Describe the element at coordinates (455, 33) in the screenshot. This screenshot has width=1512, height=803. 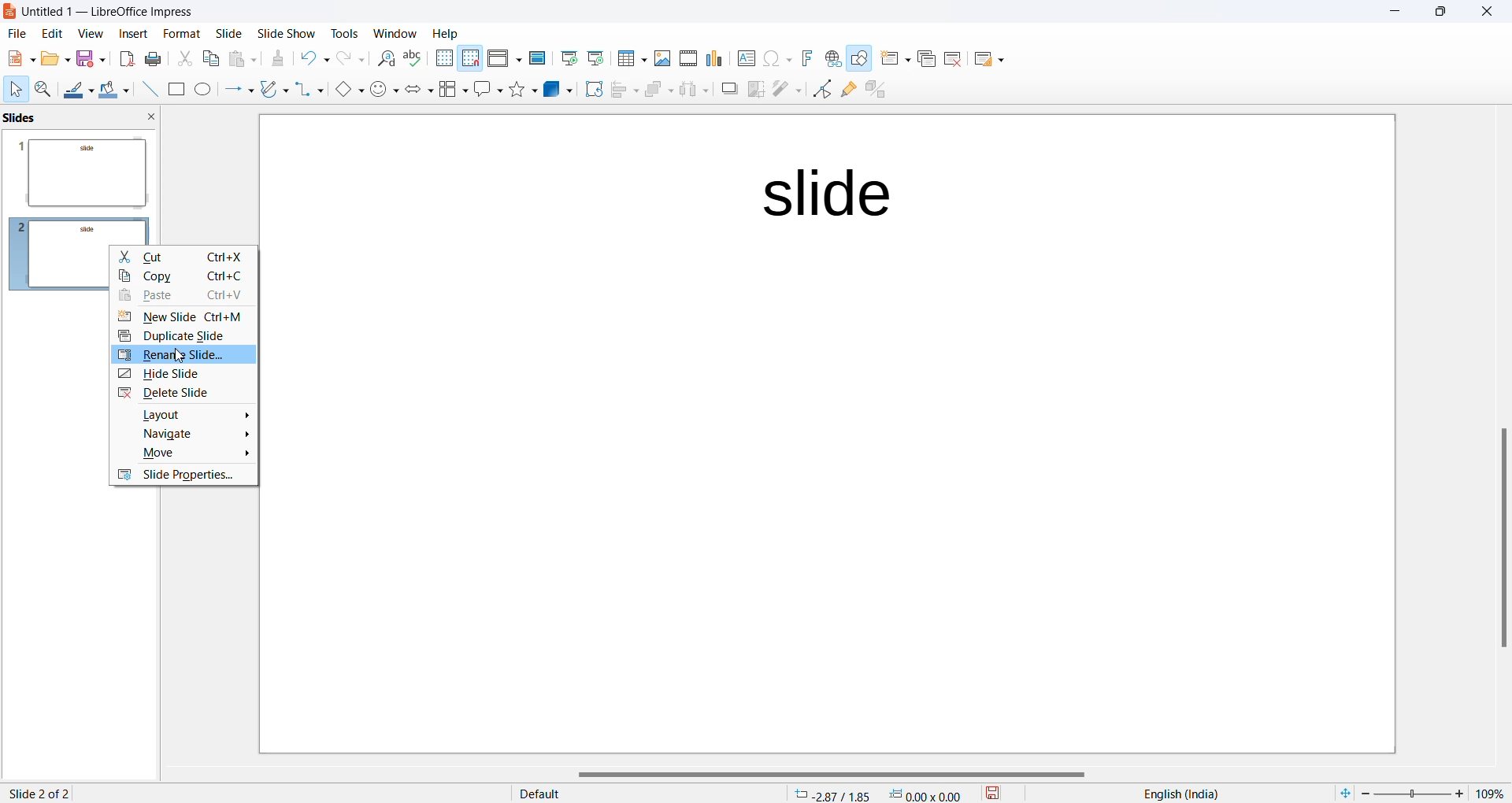
I see `Help` at that location.